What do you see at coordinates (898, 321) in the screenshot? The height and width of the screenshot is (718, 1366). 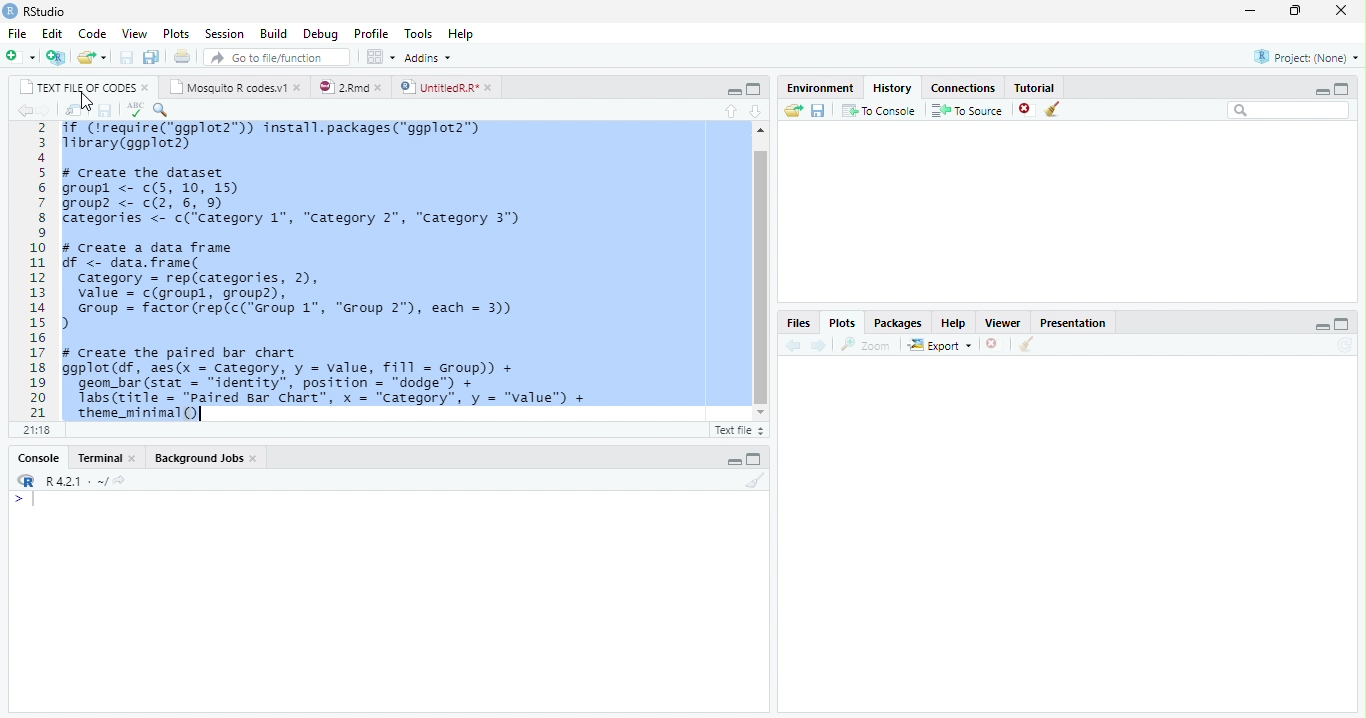 I see `packages` at bounding box center [898, 321].